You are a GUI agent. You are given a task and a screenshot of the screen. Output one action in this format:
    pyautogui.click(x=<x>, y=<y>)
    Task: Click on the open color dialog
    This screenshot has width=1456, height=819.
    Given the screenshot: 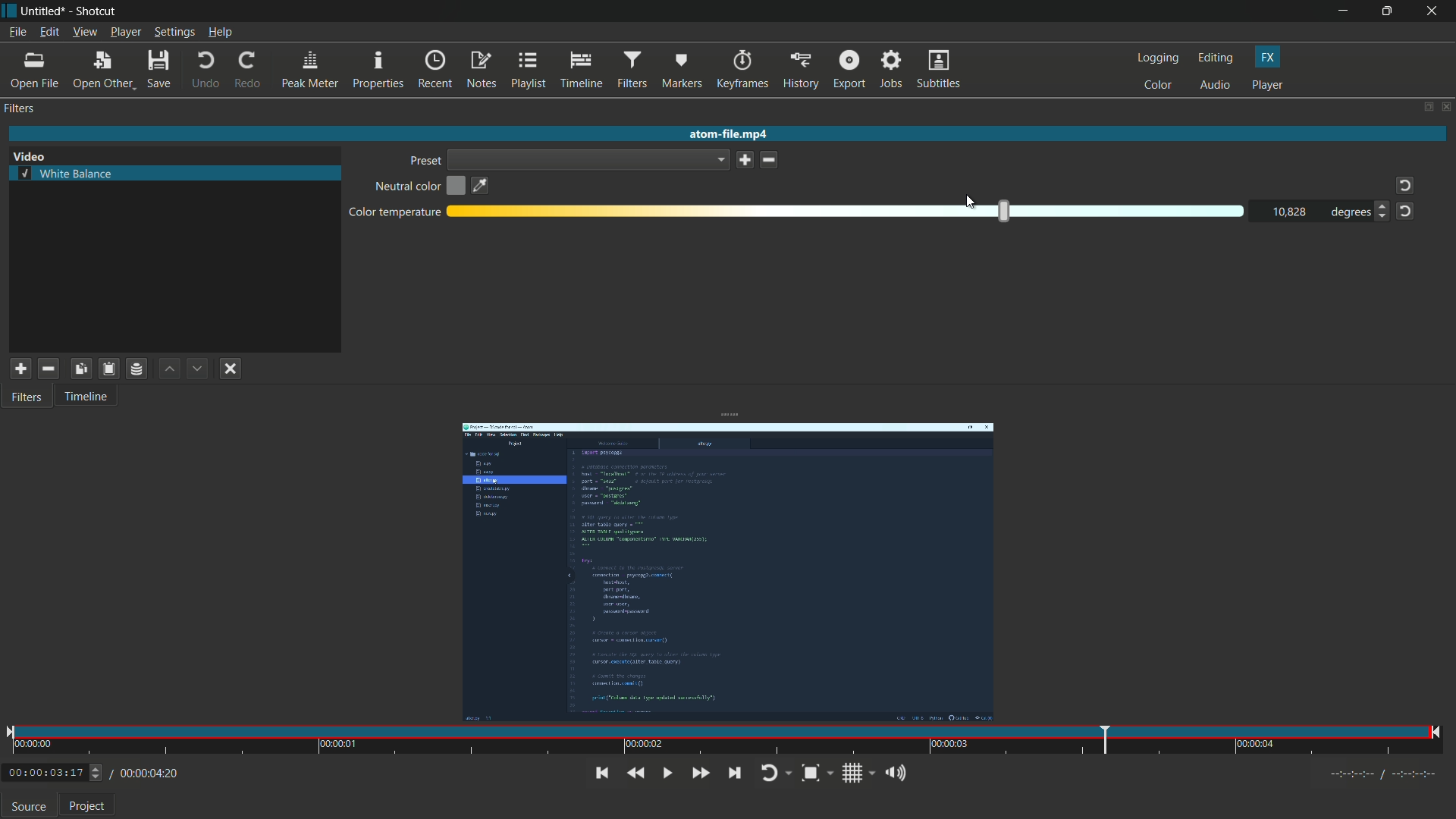 What is the action you would take?
    pyautogui.click(x=457, y=187)
    